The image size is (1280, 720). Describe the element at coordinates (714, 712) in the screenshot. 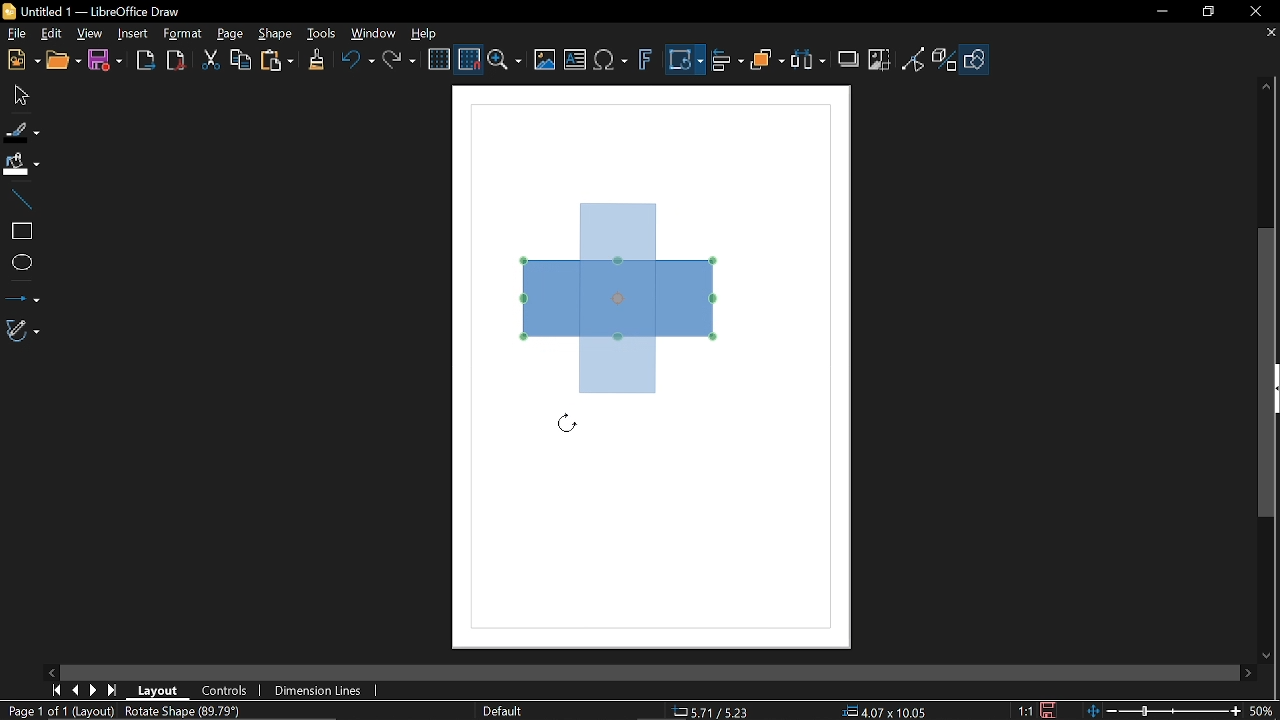

I see `5.71/5.23 (Cursor Position)` at that location.